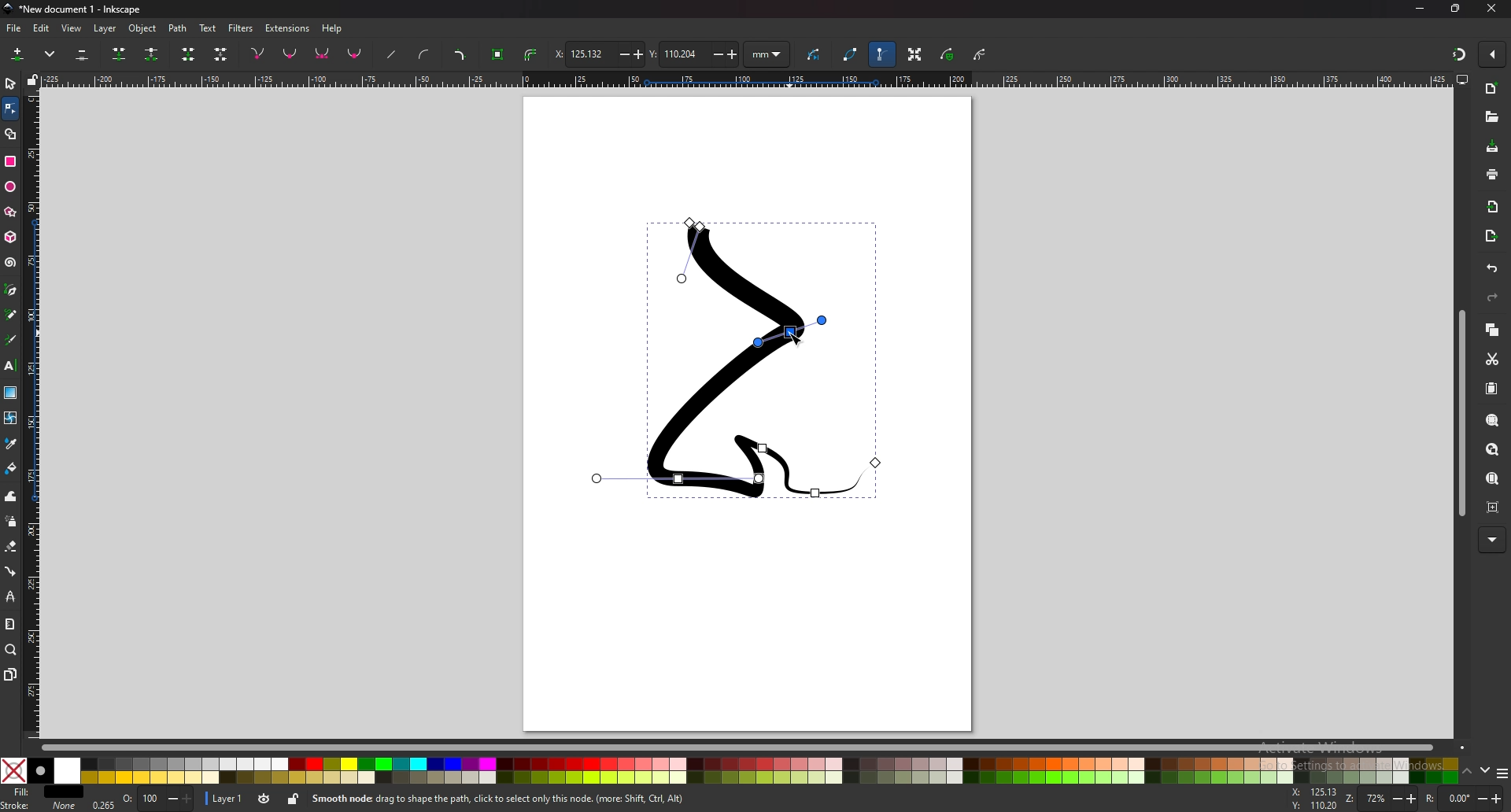 The width and height of the screenshot is (1511, 812). Describe the element at coordinates (1502, 775) in the screenshot. I see `options` at that location.